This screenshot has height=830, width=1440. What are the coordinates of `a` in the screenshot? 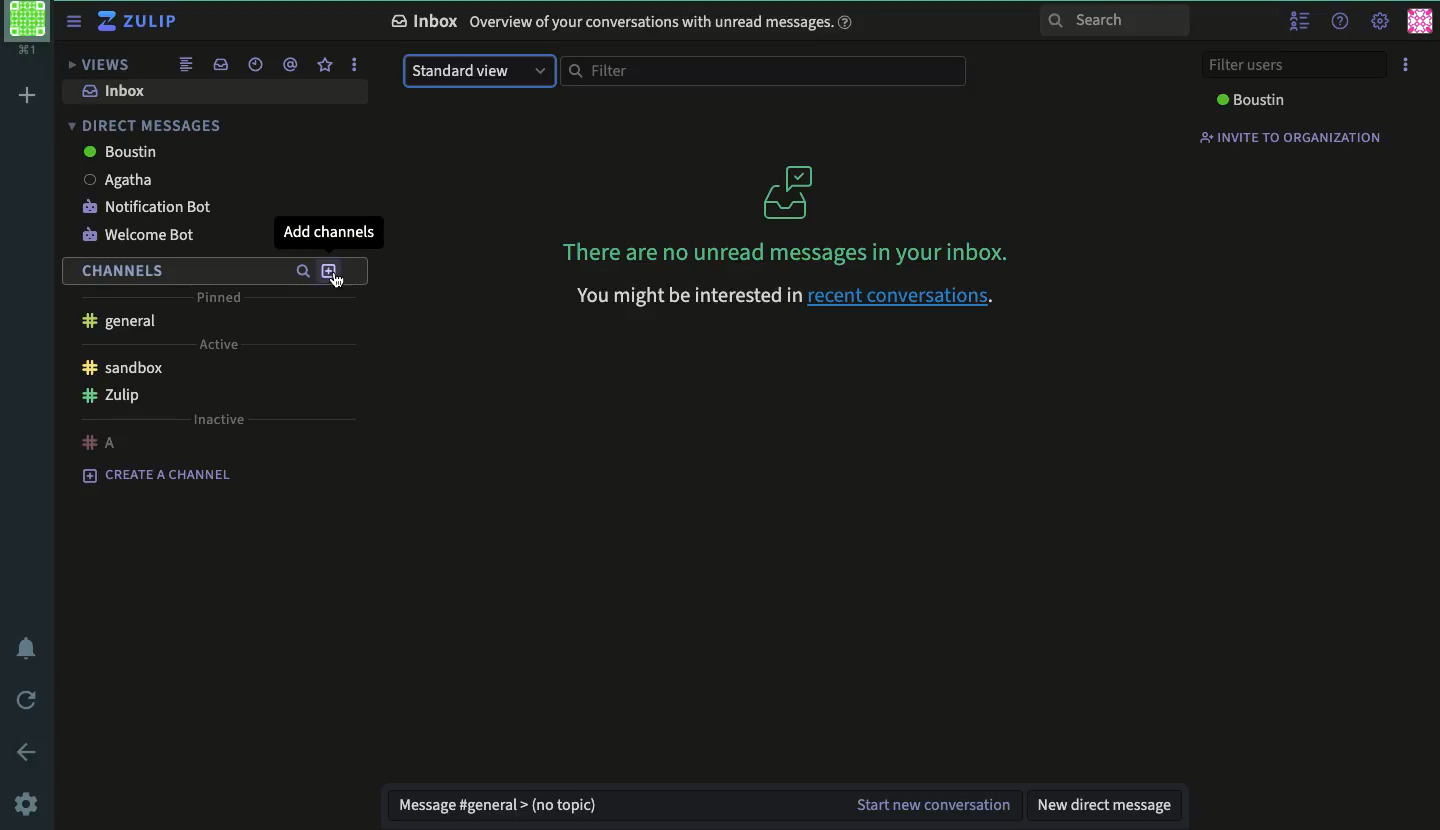 It's located at (103, 444).